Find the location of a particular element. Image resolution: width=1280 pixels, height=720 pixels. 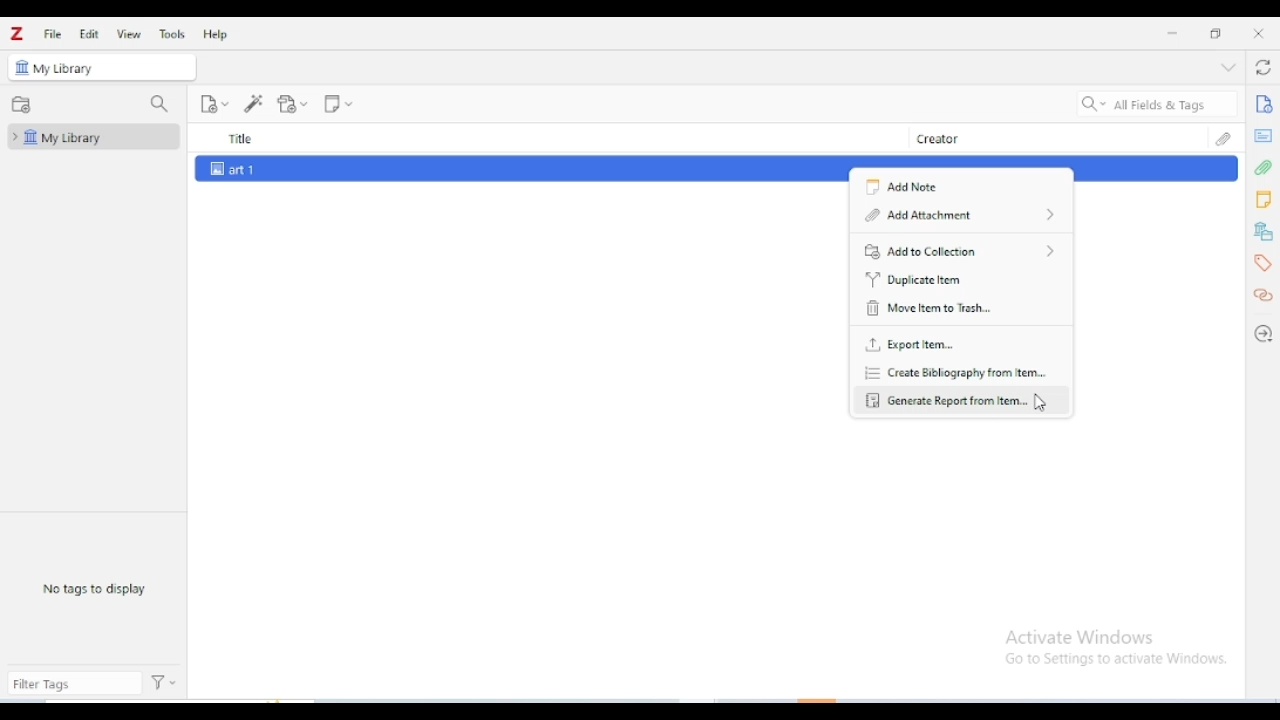

locate is located at coordinates (1262, 336).